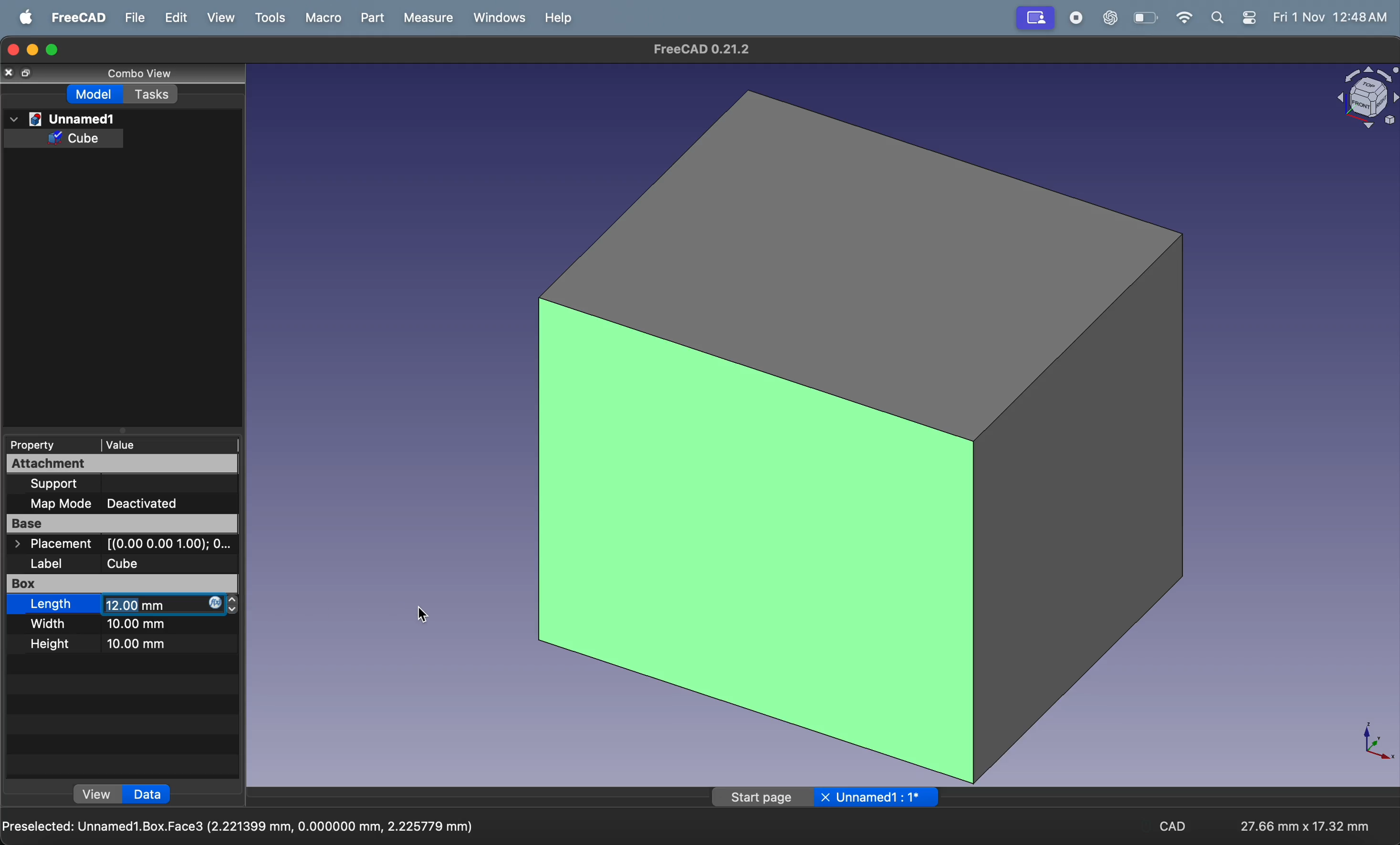 The width and height of the screenshot is (1400, 845). Describe the element at coordinates (1364, 101) in the screenshot. I see `object view` at that location.